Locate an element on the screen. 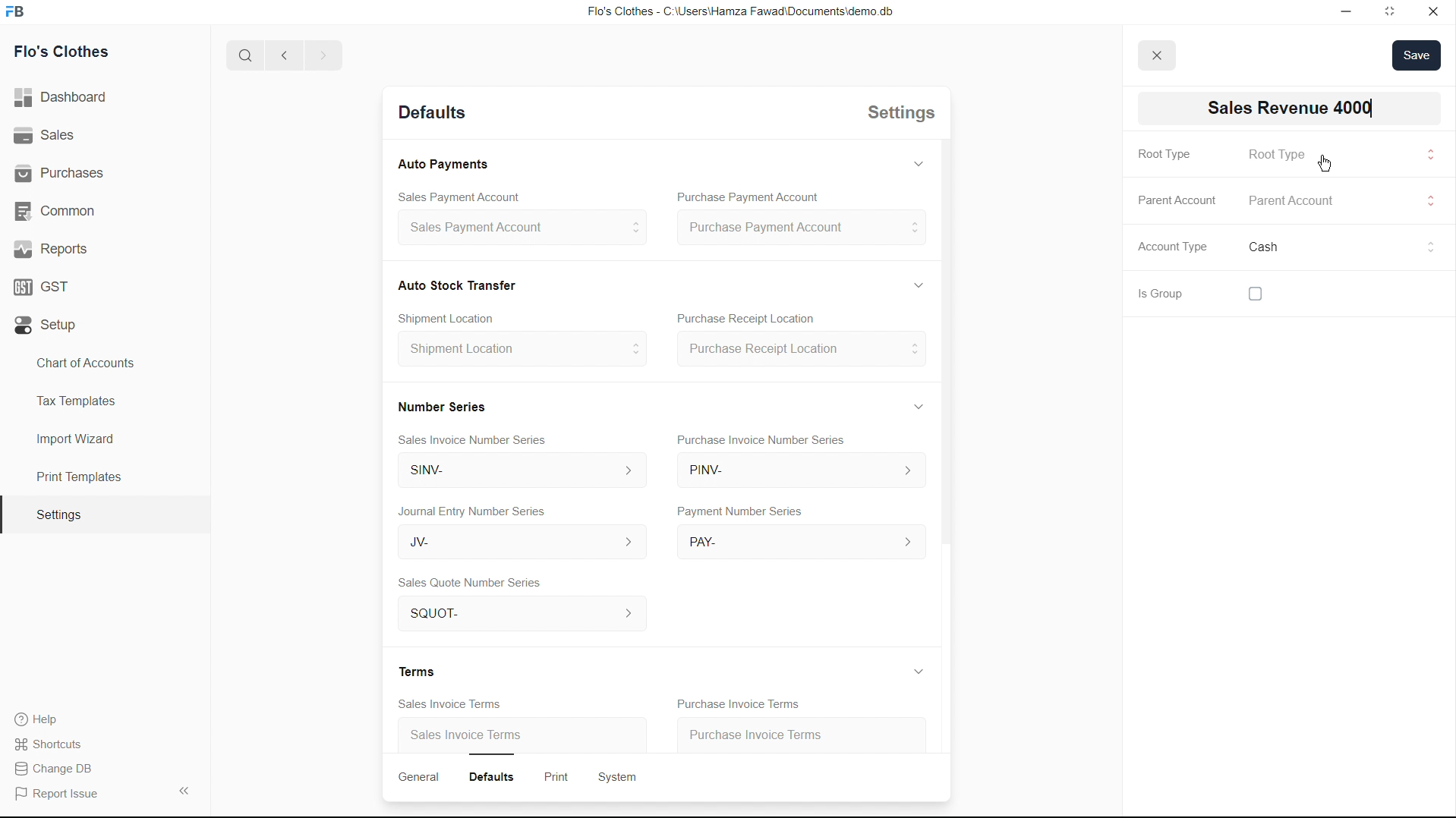 The width and height of the screenshot is (1456, 818). sales Payment Account is located at coordinates (515, 229).